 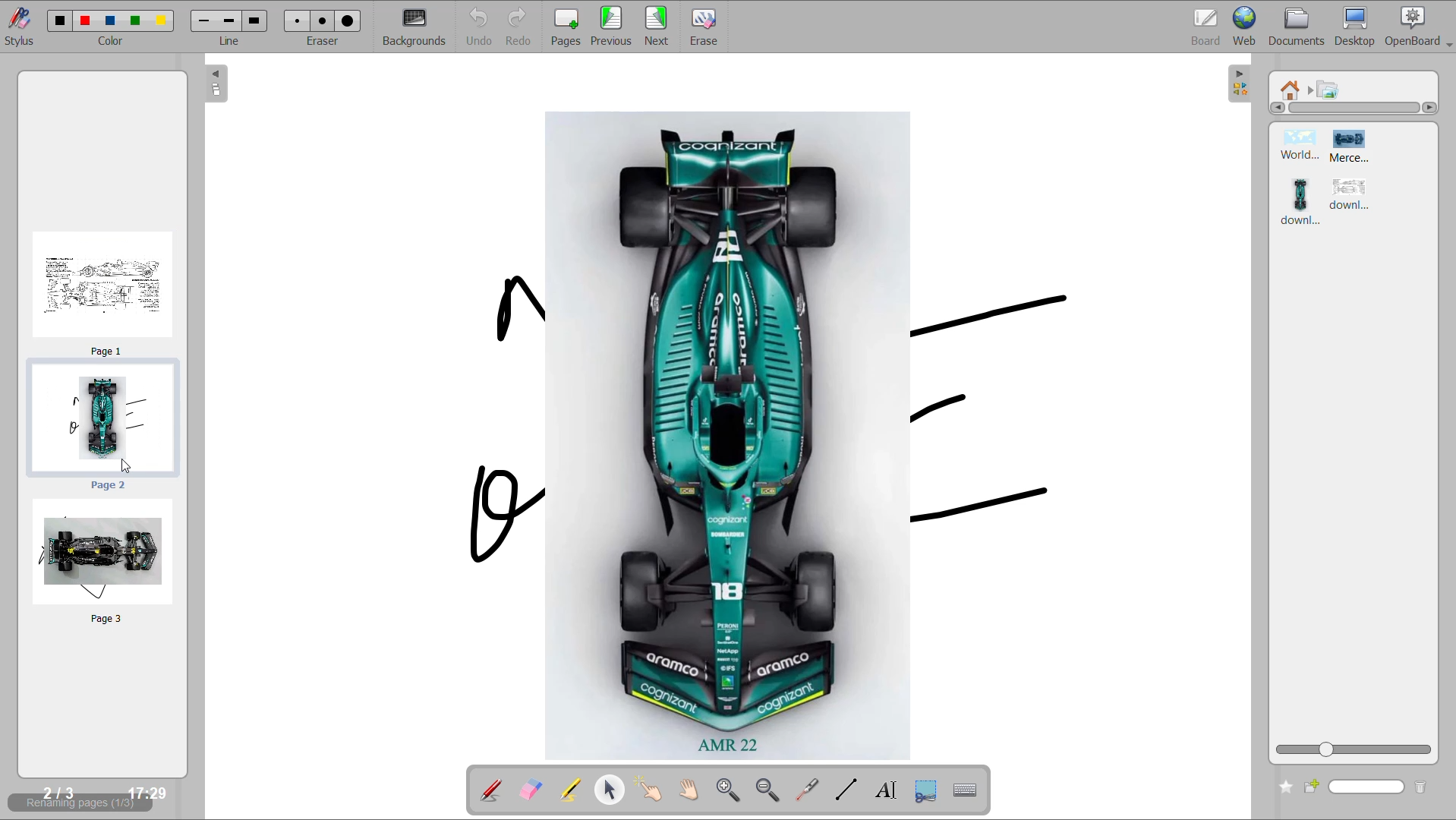 What do you see at coordinates (887, 791) in the screenshot?
I see `write text` at bounding box center [887, 791].